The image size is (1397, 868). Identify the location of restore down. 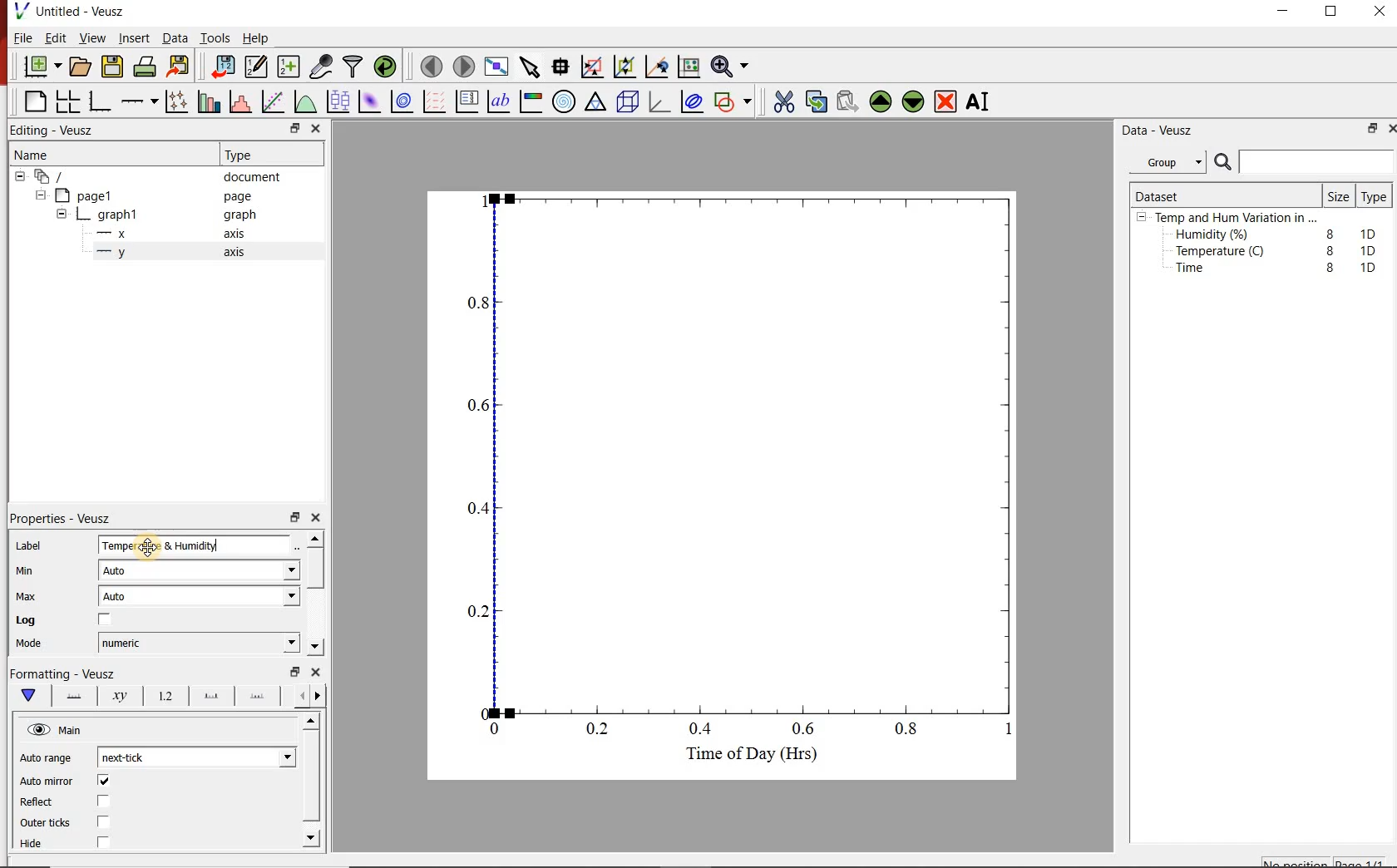
(294, 518).